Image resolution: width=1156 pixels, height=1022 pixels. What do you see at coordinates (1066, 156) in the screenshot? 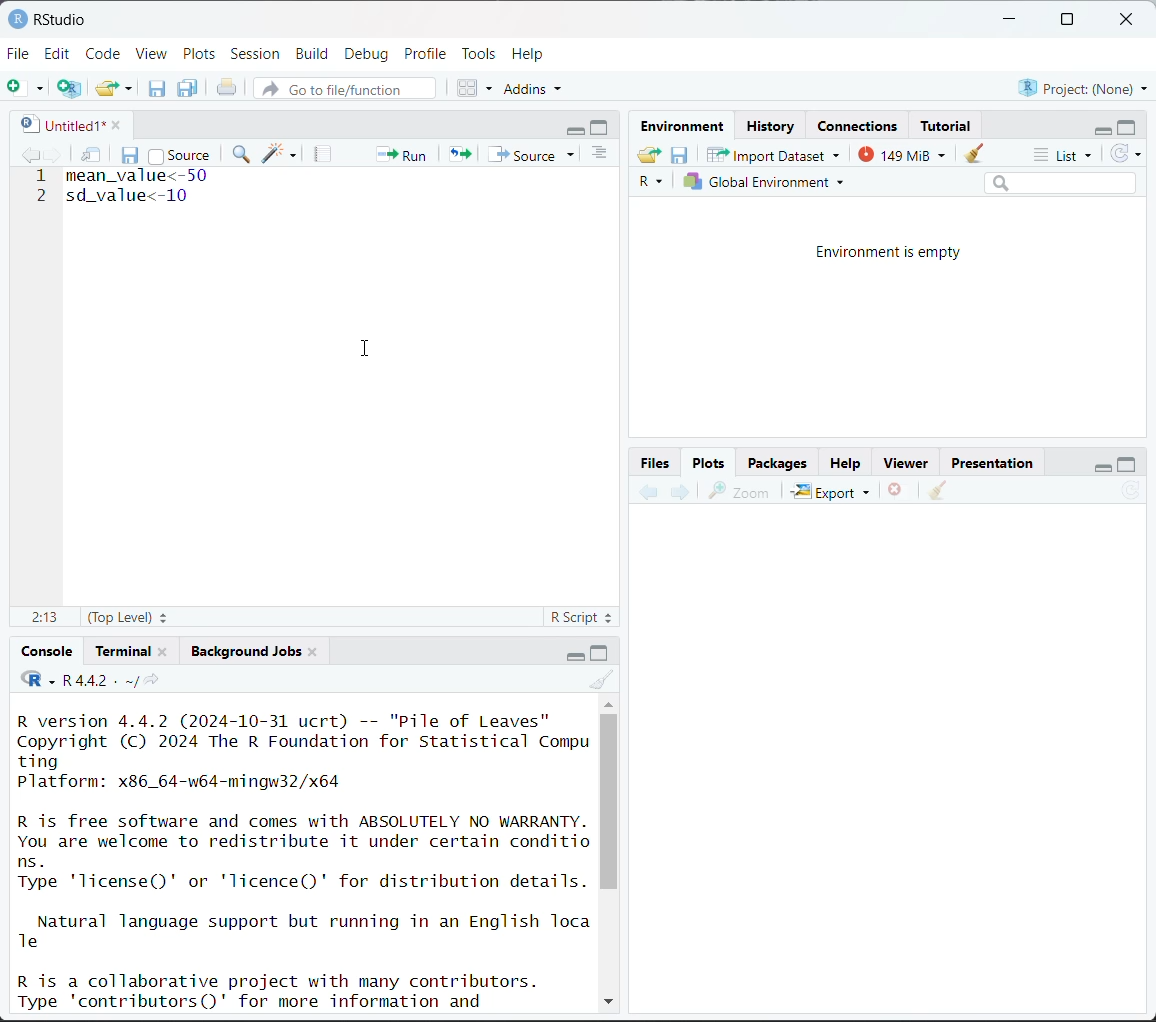
I see `list` at bounding box center [1066, 156].